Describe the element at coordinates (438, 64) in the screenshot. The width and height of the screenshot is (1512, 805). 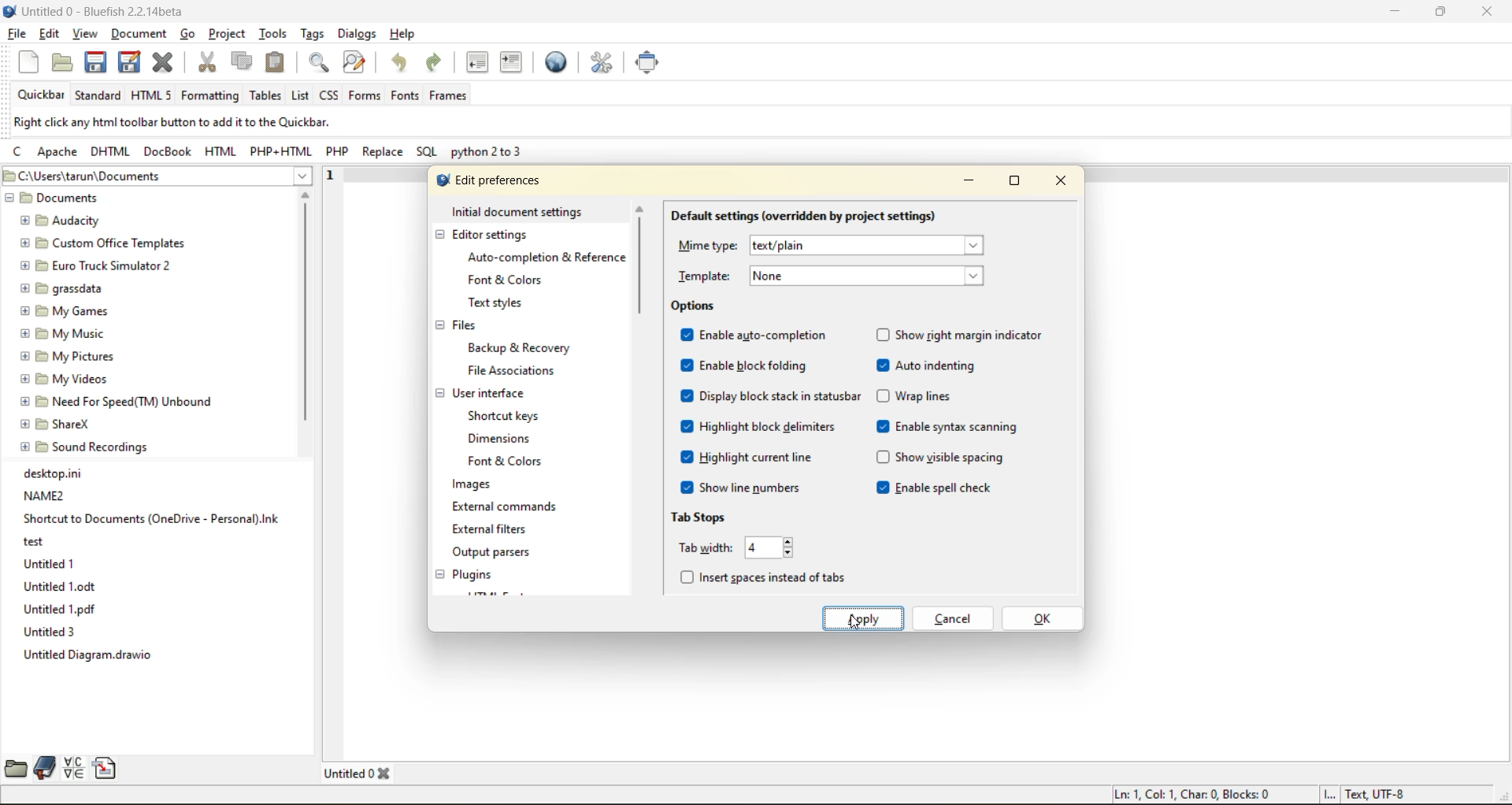
I see `redo` at that location.